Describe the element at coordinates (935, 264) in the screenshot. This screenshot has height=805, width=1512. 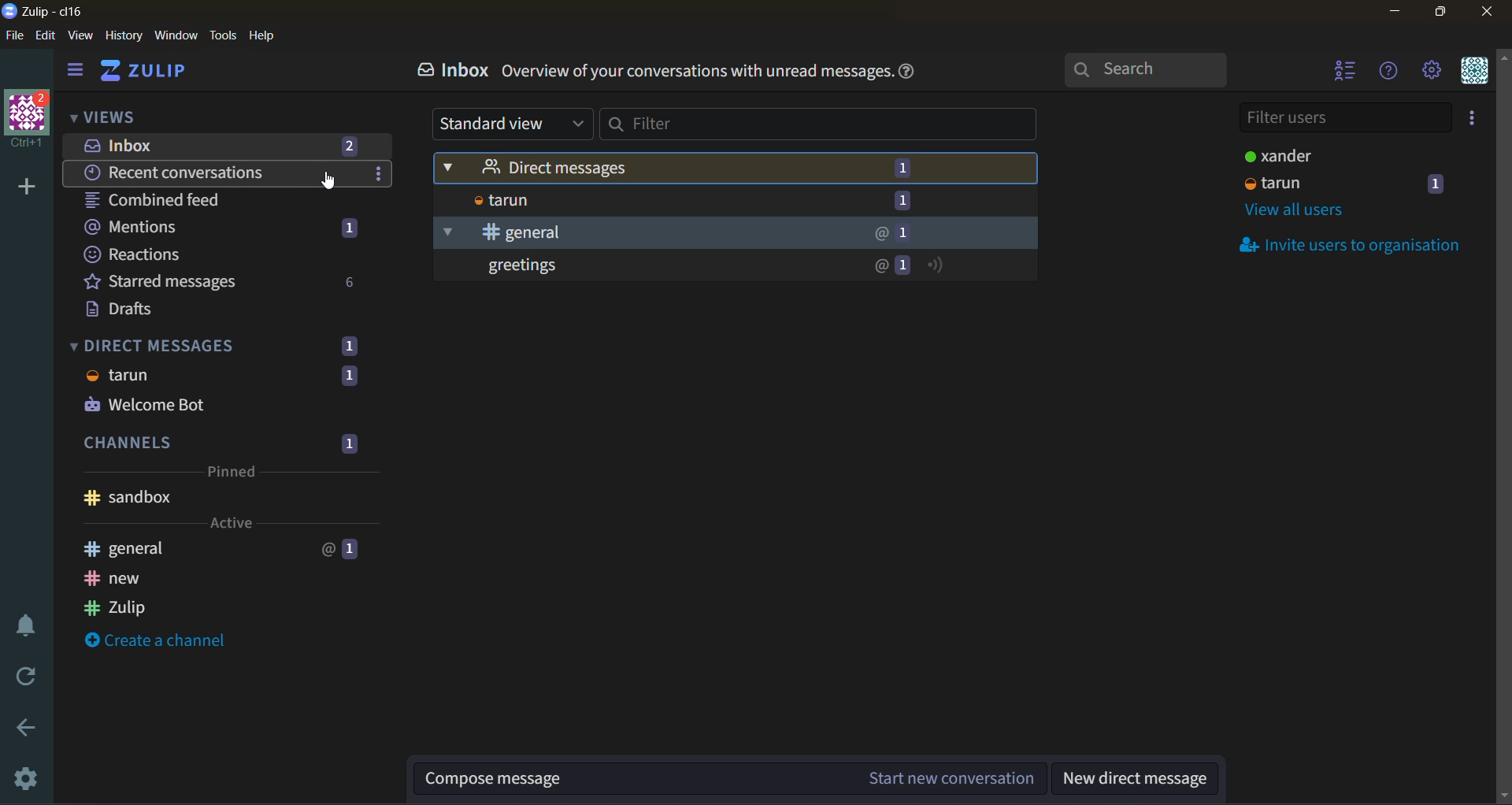
I see `active status` at that location.